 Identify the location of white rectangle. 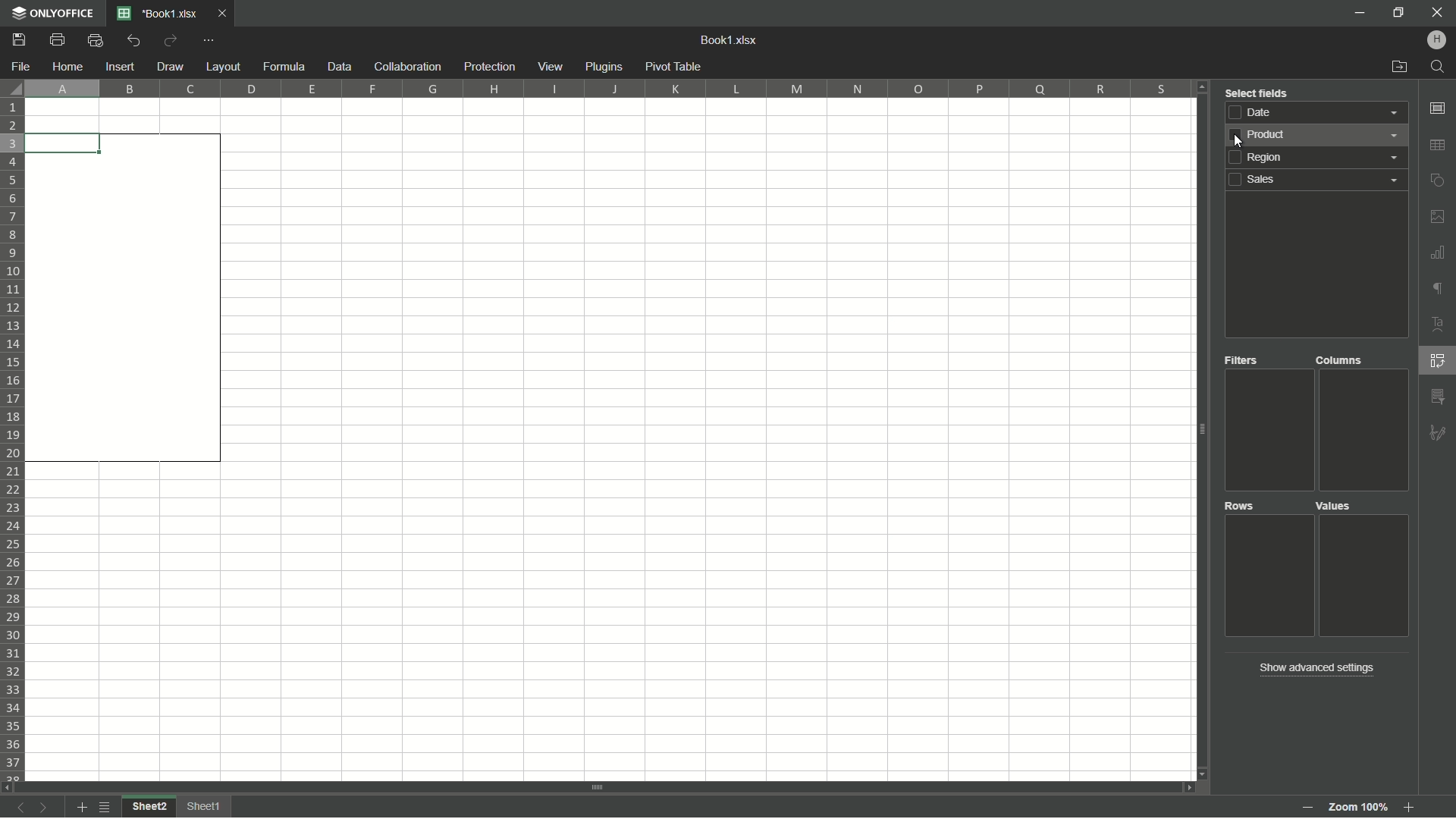
(124, 300).